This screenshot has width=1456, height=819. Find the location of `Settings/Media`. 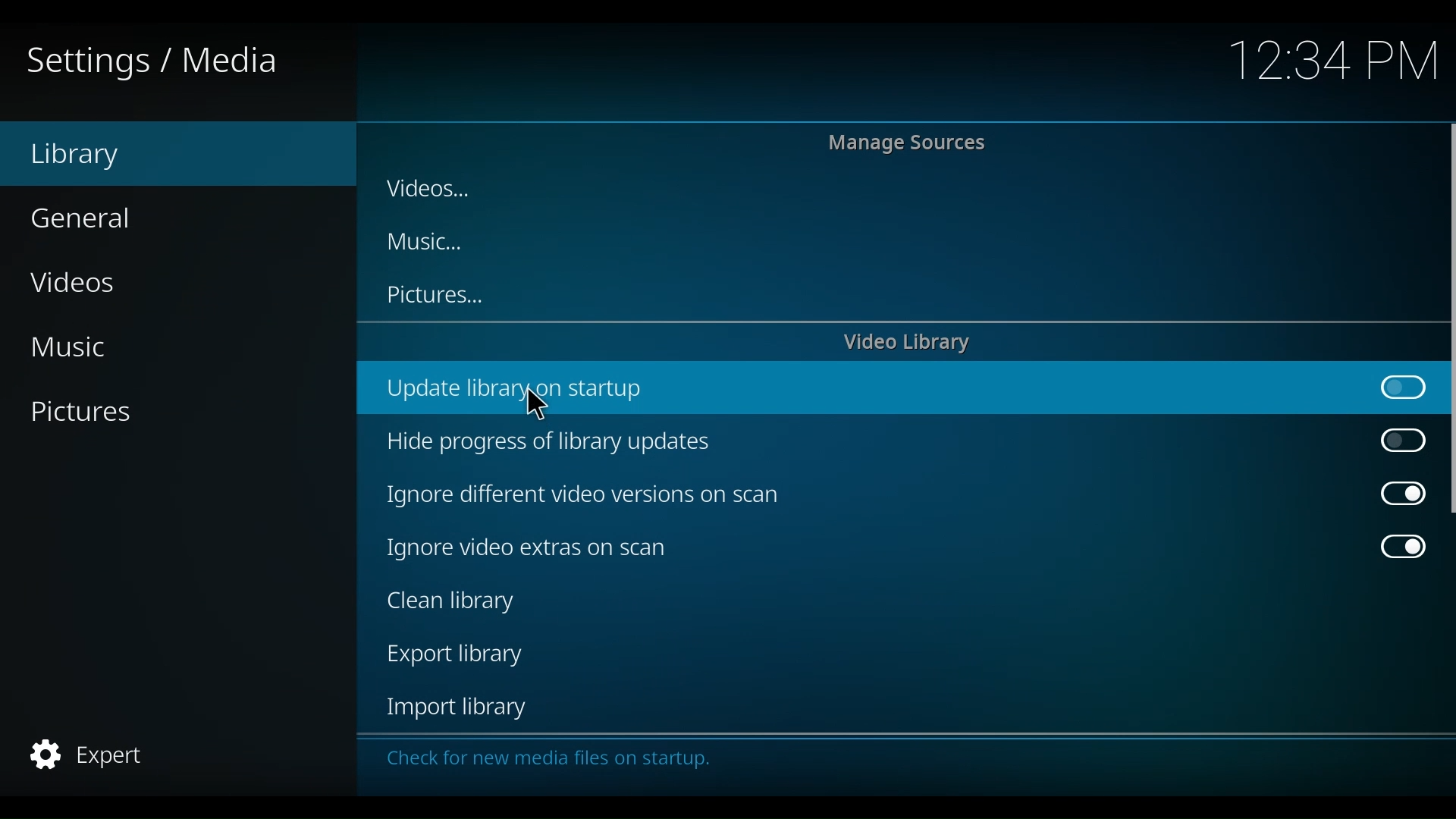

Settings/Media is located at coordinates (148, 64).